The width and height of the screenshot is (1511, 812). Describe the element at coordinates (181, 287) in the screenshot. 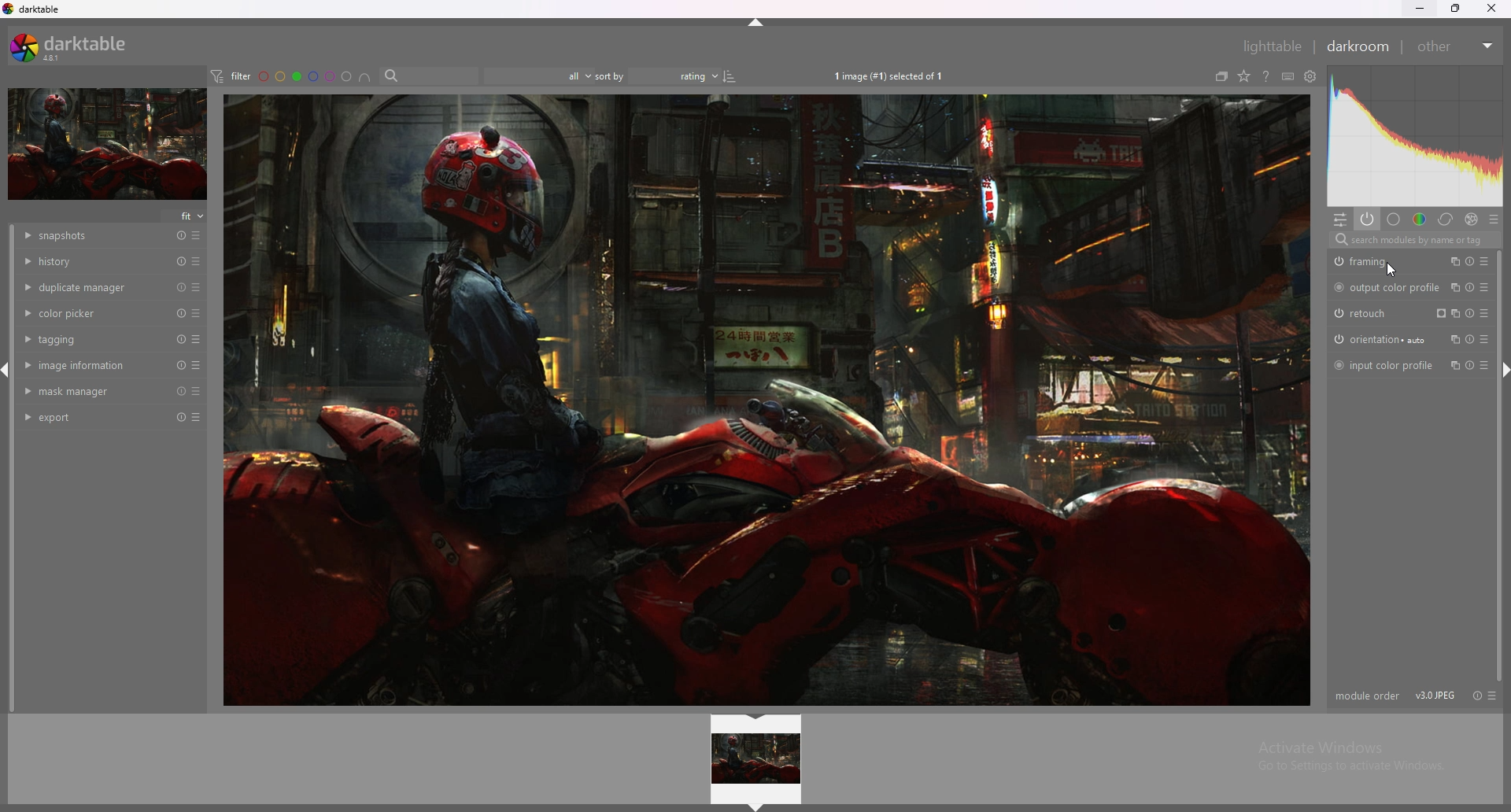

I see `reset` at that location.